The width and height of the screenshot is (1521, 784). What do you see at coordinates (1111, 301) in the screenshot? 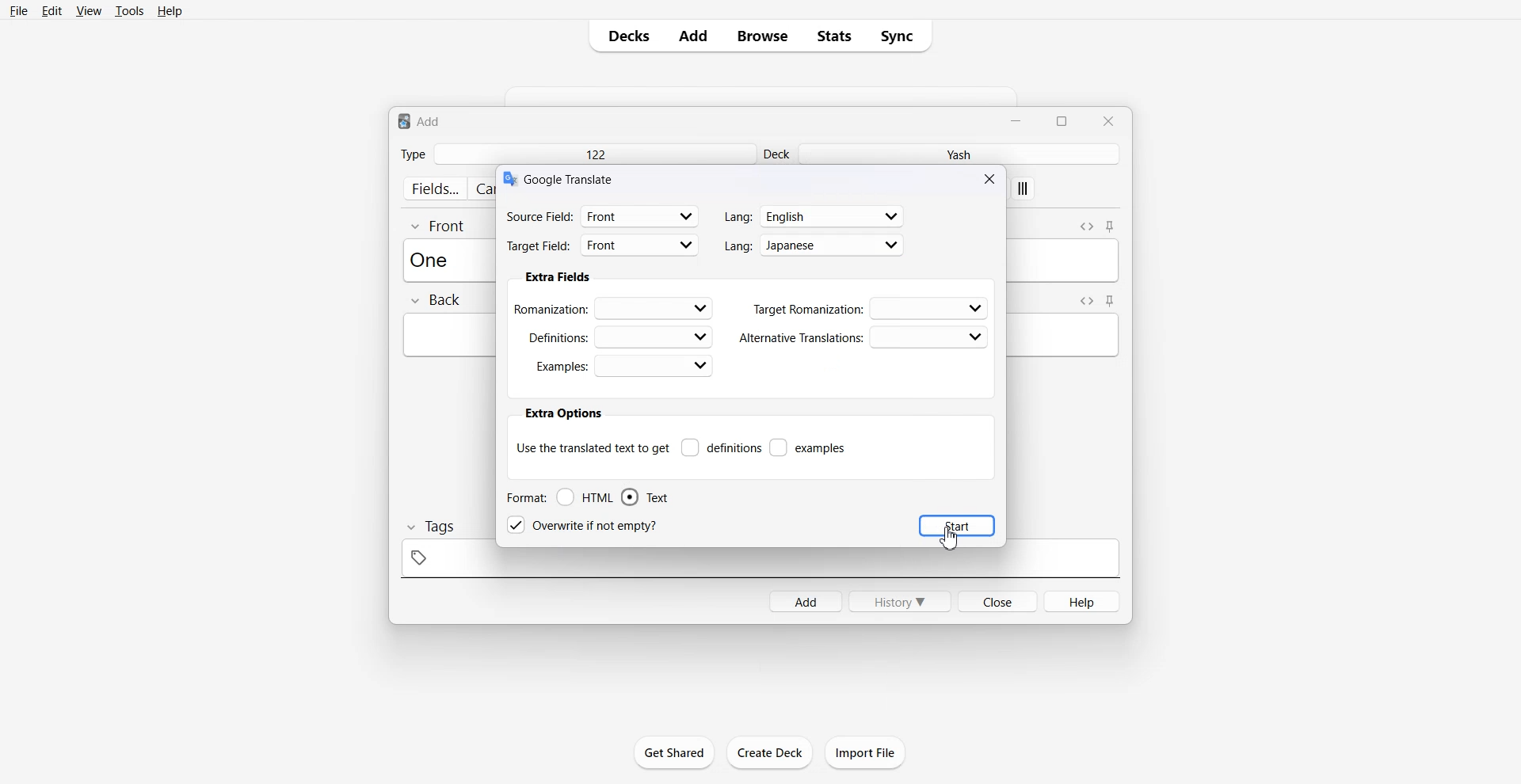
I see `Toggle sticky` at bounding box center [1111, 301].